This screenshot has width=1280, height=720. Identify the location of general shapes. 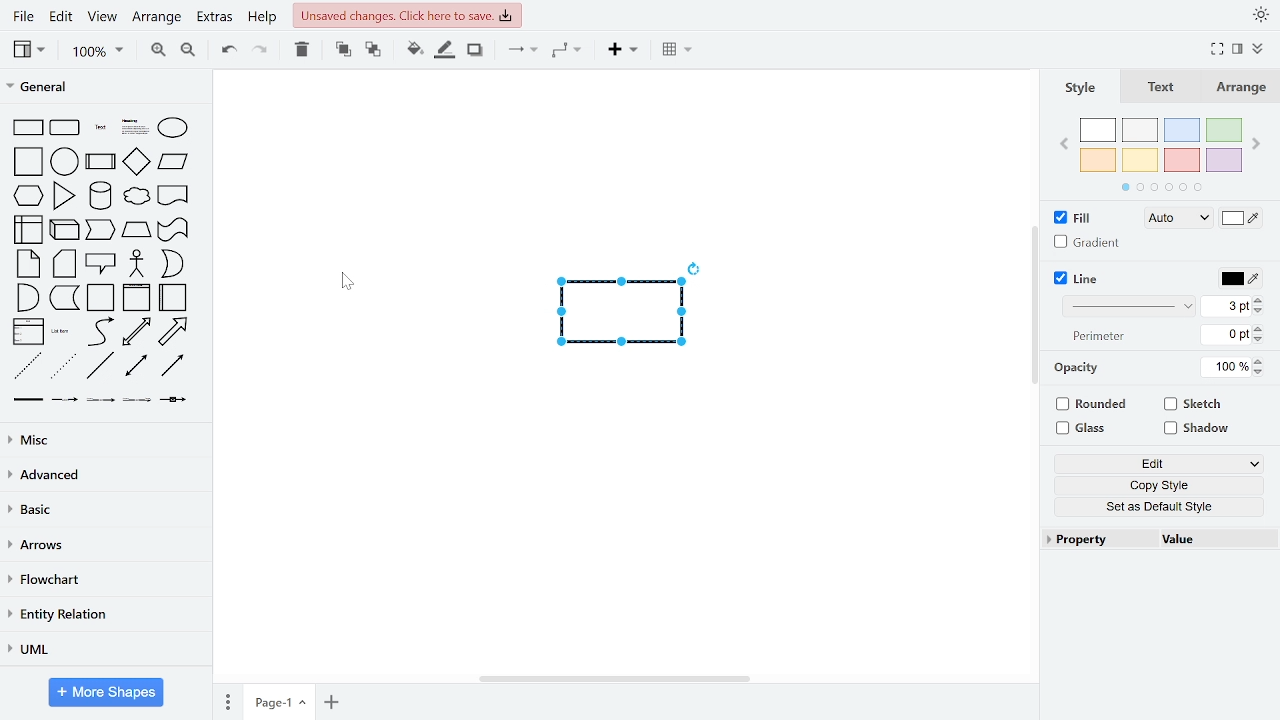
(170, 162).